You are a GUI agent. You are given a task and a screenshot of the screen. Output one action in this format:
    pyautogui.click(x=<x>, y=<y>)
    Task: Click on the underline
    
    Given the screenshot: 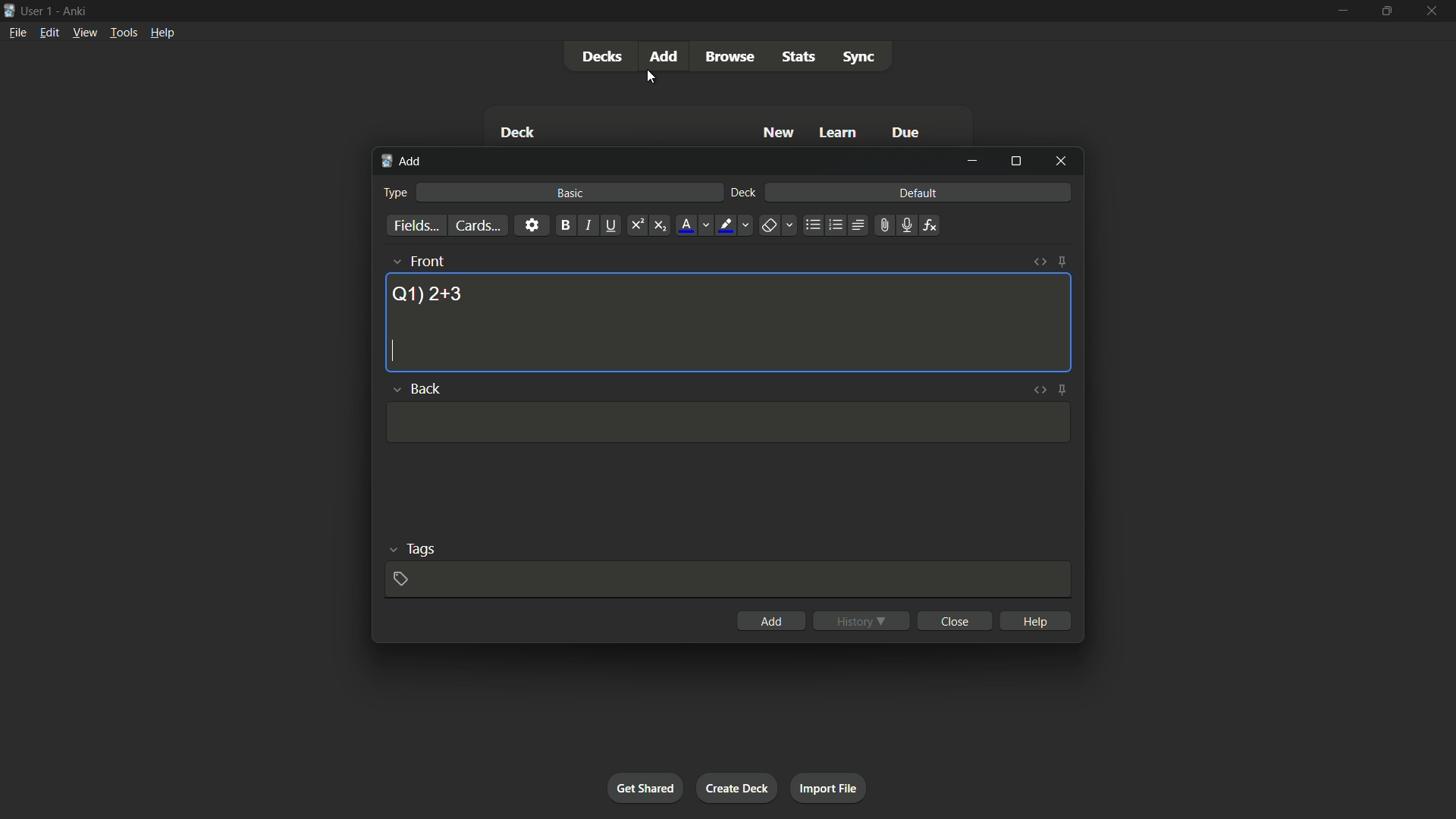 What is the action you would take?
    pyautogui.click(x=610, y=225)
    